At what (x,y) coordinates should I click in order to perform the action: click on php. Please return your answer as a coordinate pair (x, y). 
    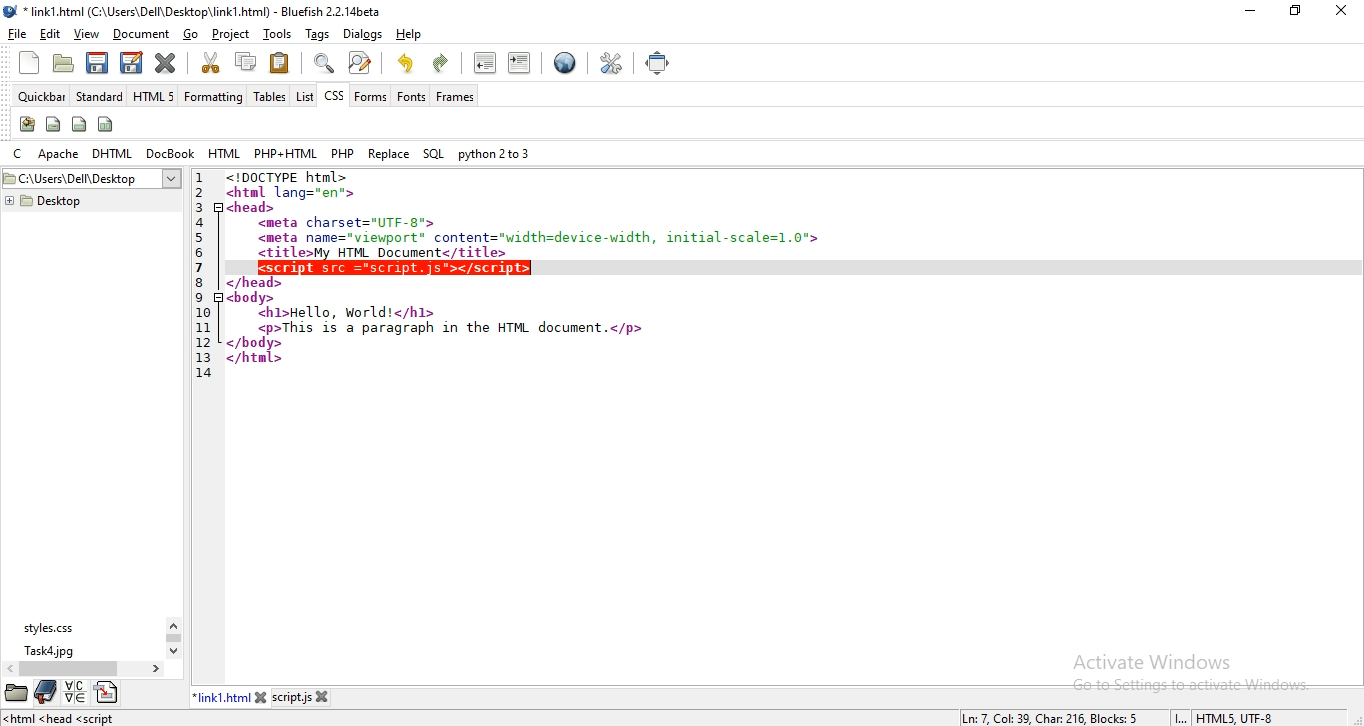
    Looking at the image, I should click on (343, 153).